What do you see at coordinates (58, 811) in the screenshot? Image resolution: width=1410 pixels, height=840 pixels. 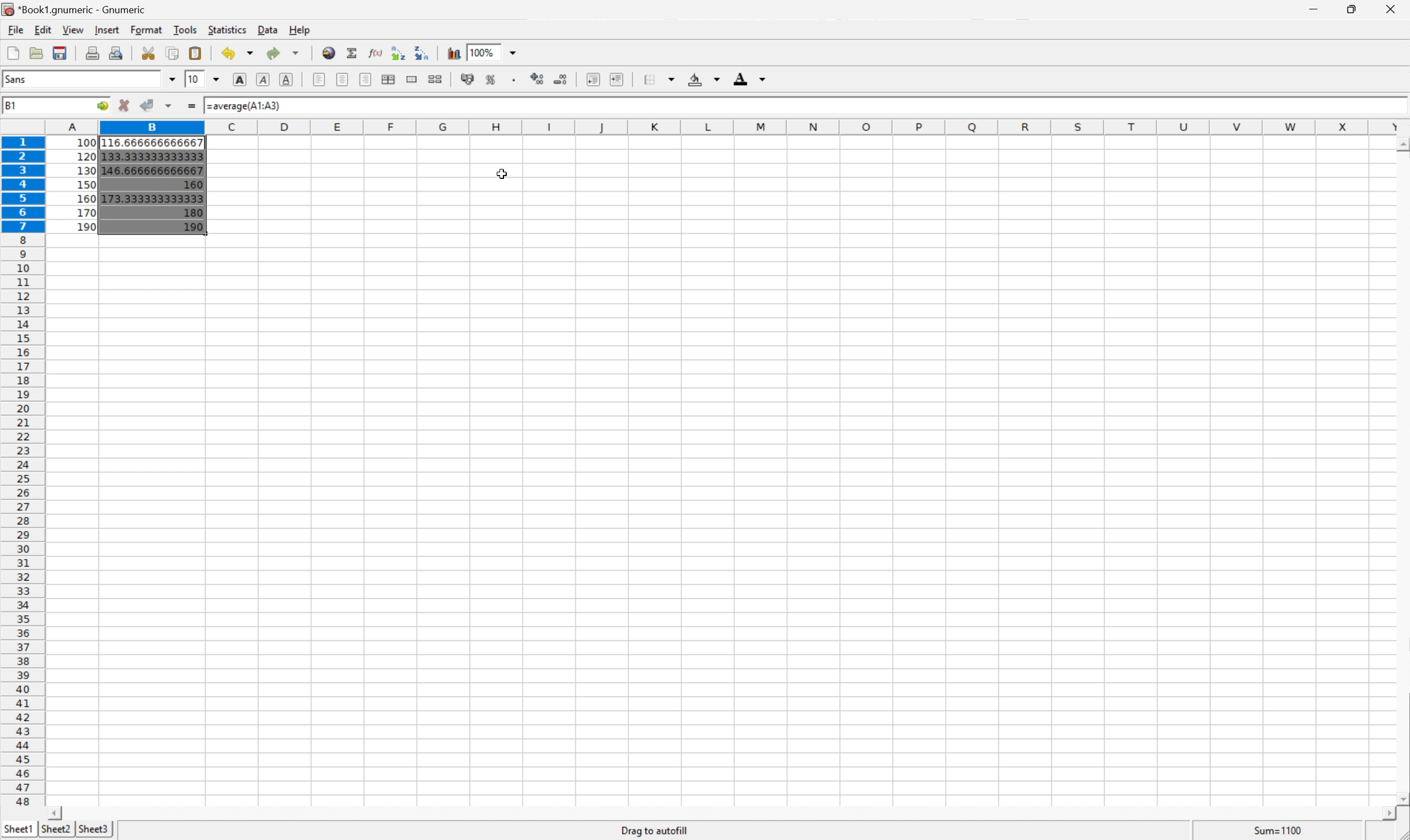 I see `Scroll Left` at bounding box center [58, 811].